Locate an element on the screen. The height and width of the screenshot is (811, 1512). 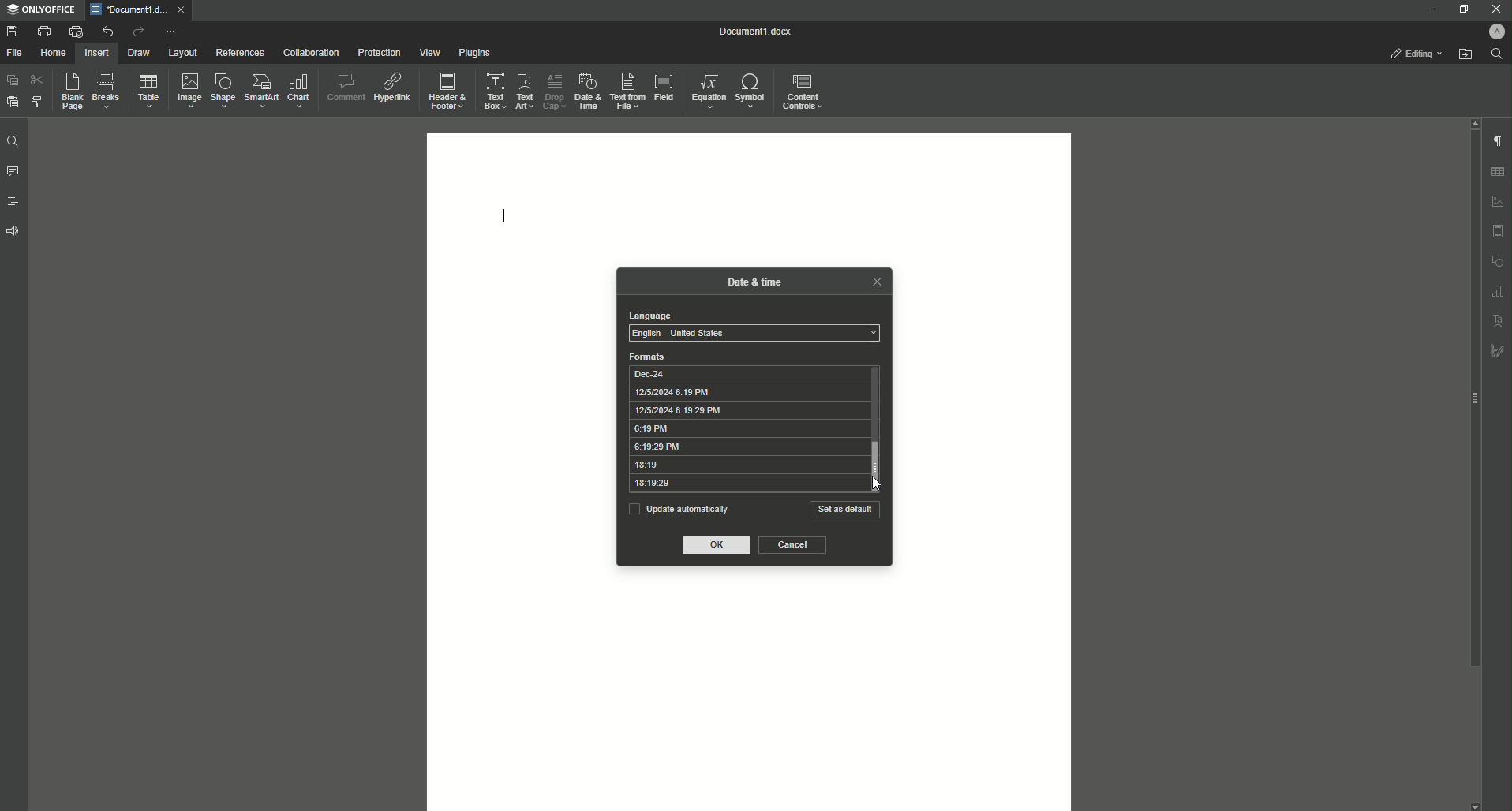
Symbol is located at coordinates (752, 92).